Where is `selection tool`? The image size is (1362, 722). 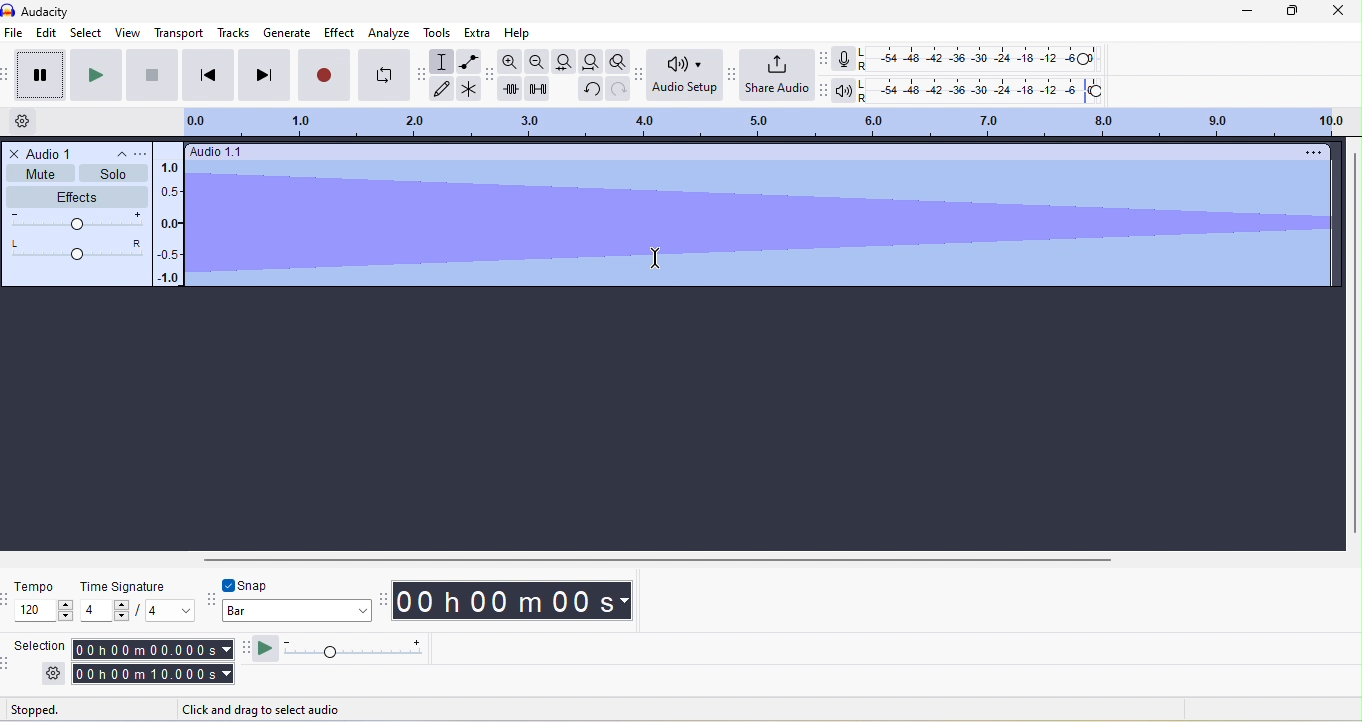
selection tool is located at coordinates (444, 61).